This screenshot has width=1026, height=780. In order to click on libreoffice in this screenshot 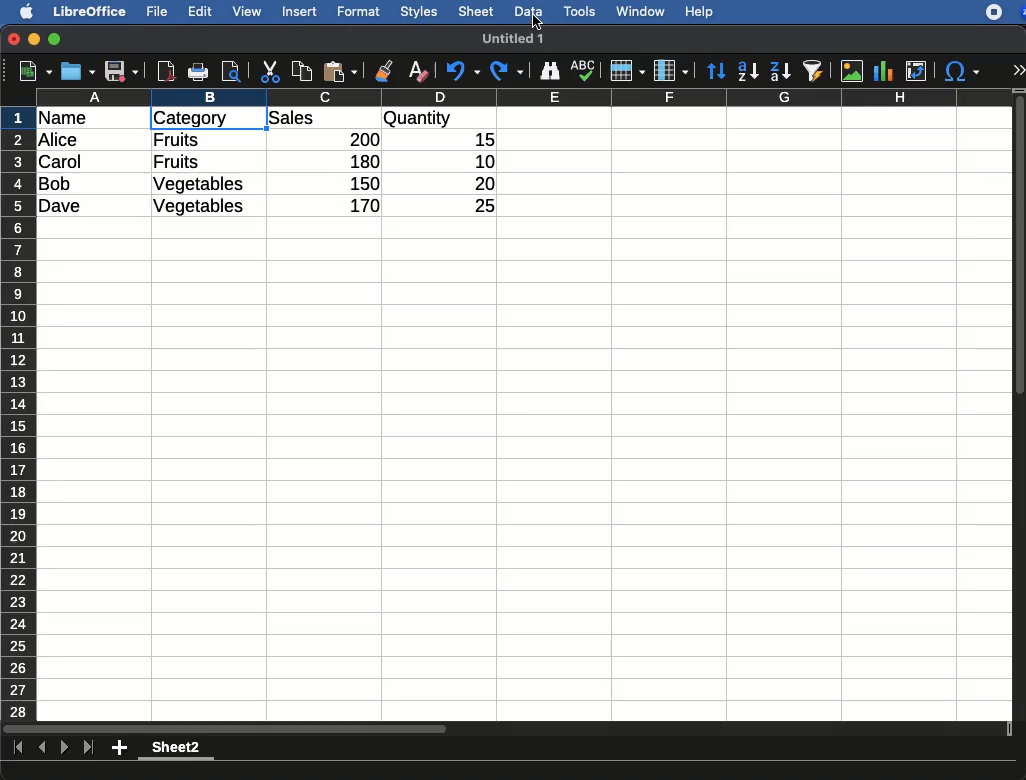, I will do `click(91, 11)`.